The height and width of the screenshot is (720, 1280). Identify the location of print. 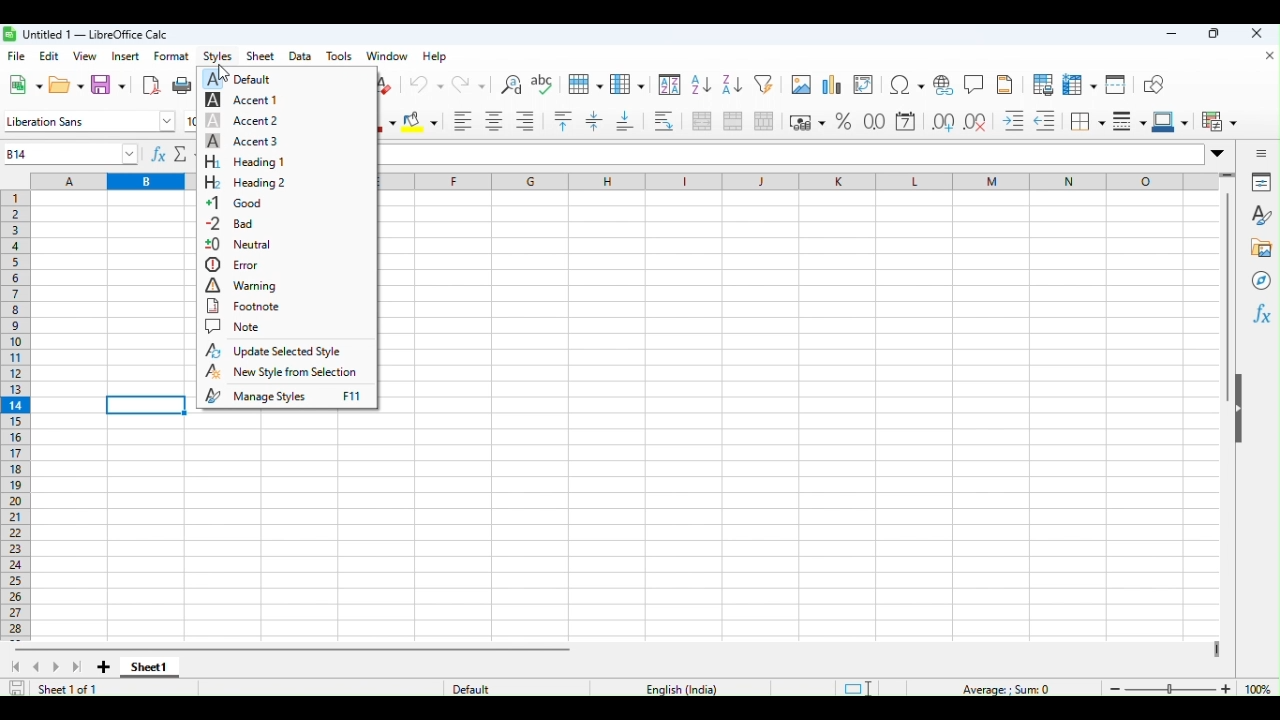
(182, 84).